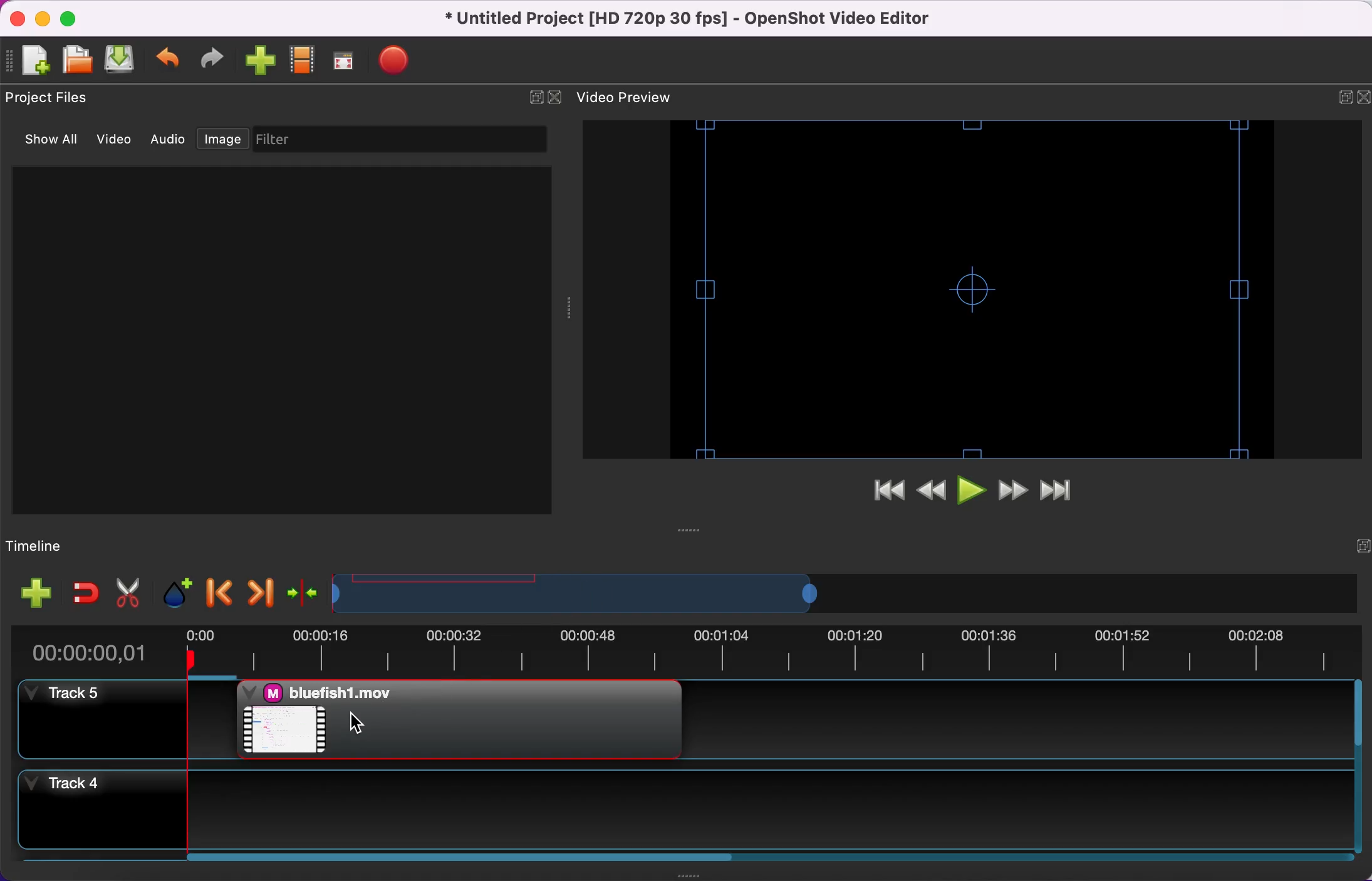 The height and width of the screenshot is (881, 1372). I want to click on expand/hide, so click(536, 102).